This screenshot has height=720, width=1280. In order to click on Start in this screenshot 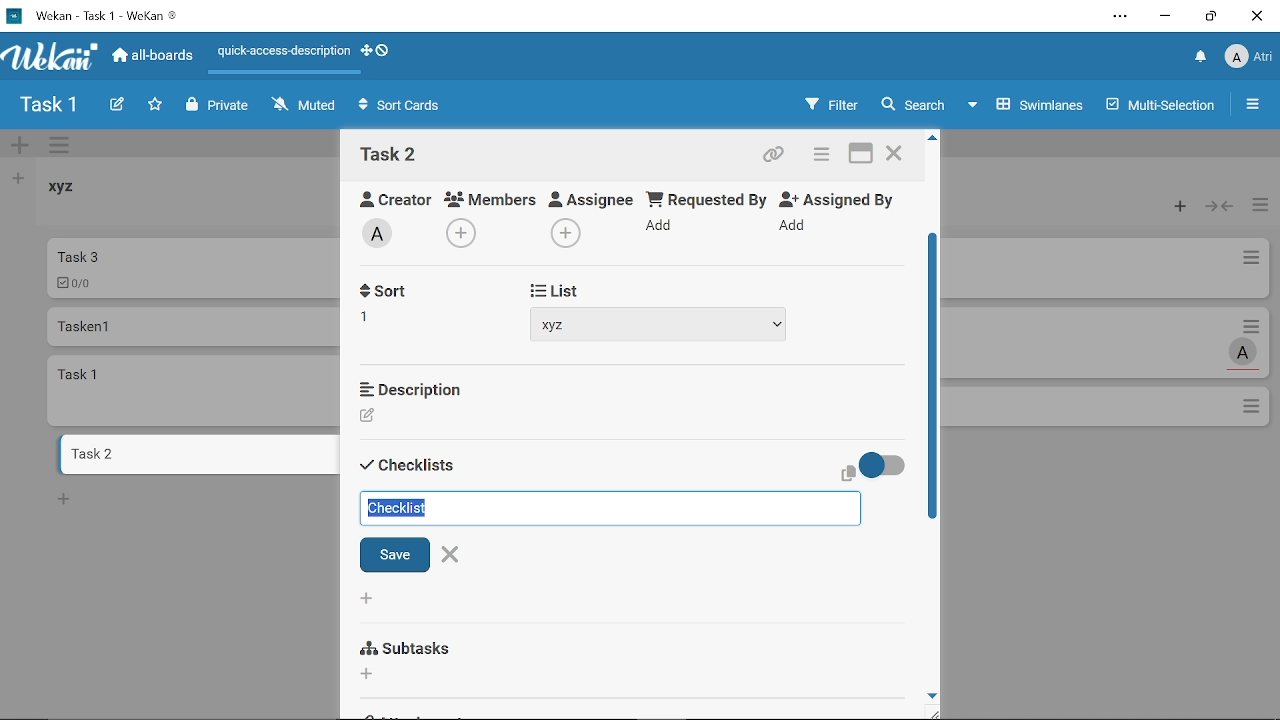, I will do `click(549, 288)`.